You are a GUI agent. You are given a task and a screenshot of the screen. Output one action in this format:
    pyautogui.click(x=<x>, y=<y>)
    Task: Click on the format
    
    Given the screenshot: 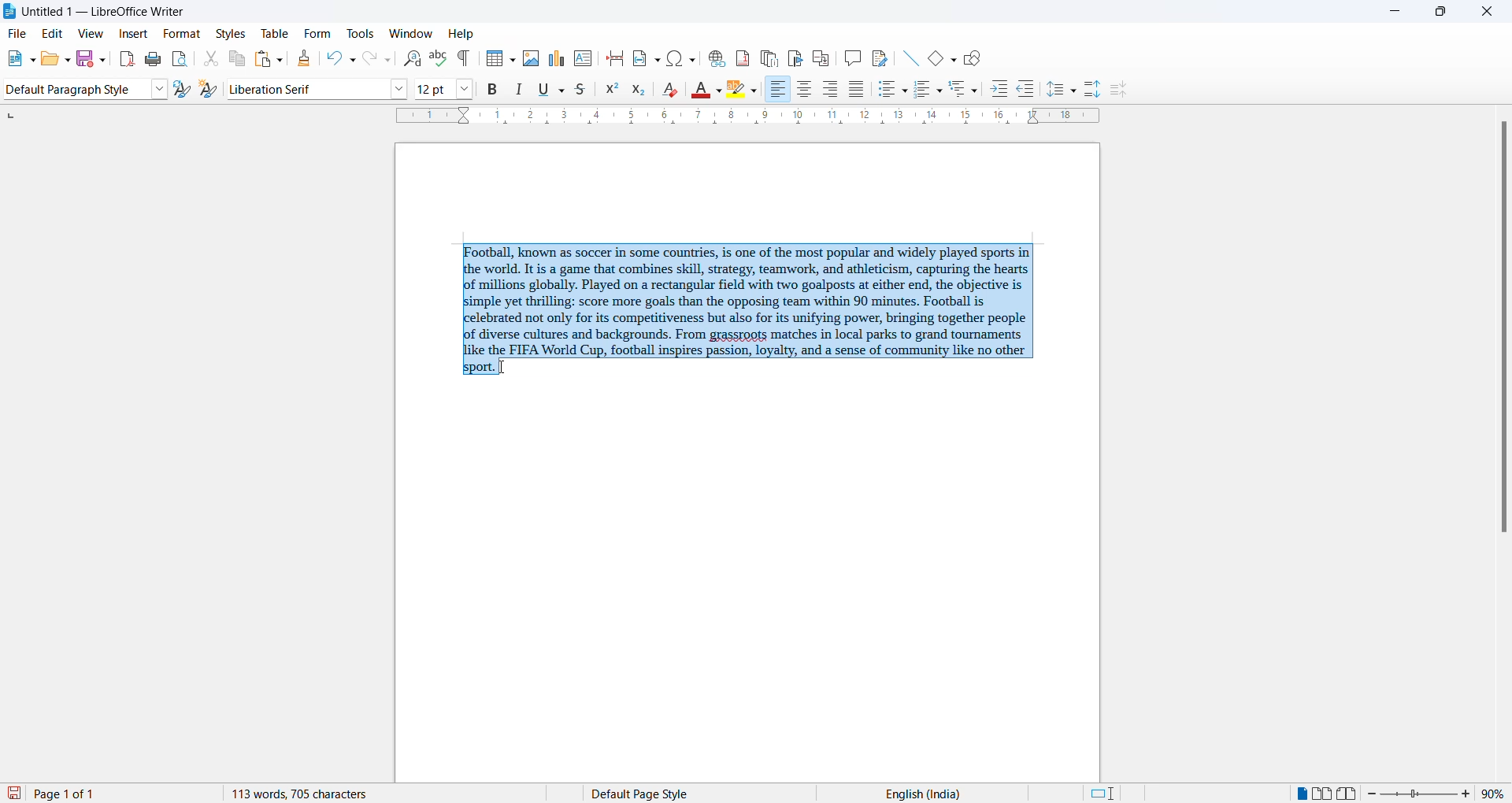 What is the action you would take?
    pyautogui.click(x=180, y=35)
    